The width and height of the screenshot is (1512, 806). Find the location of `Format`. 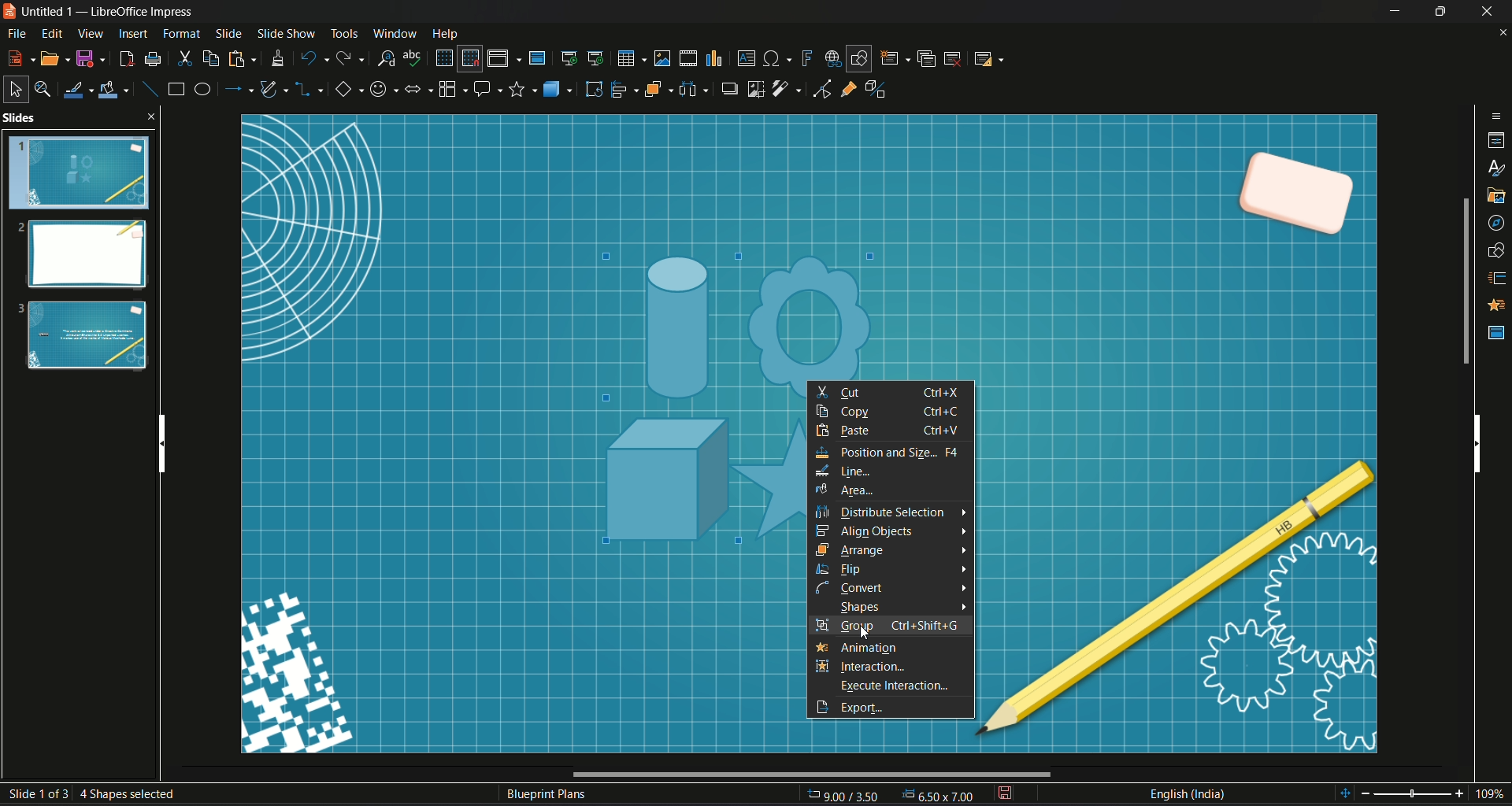

Format is located at coordinates (182, 34).